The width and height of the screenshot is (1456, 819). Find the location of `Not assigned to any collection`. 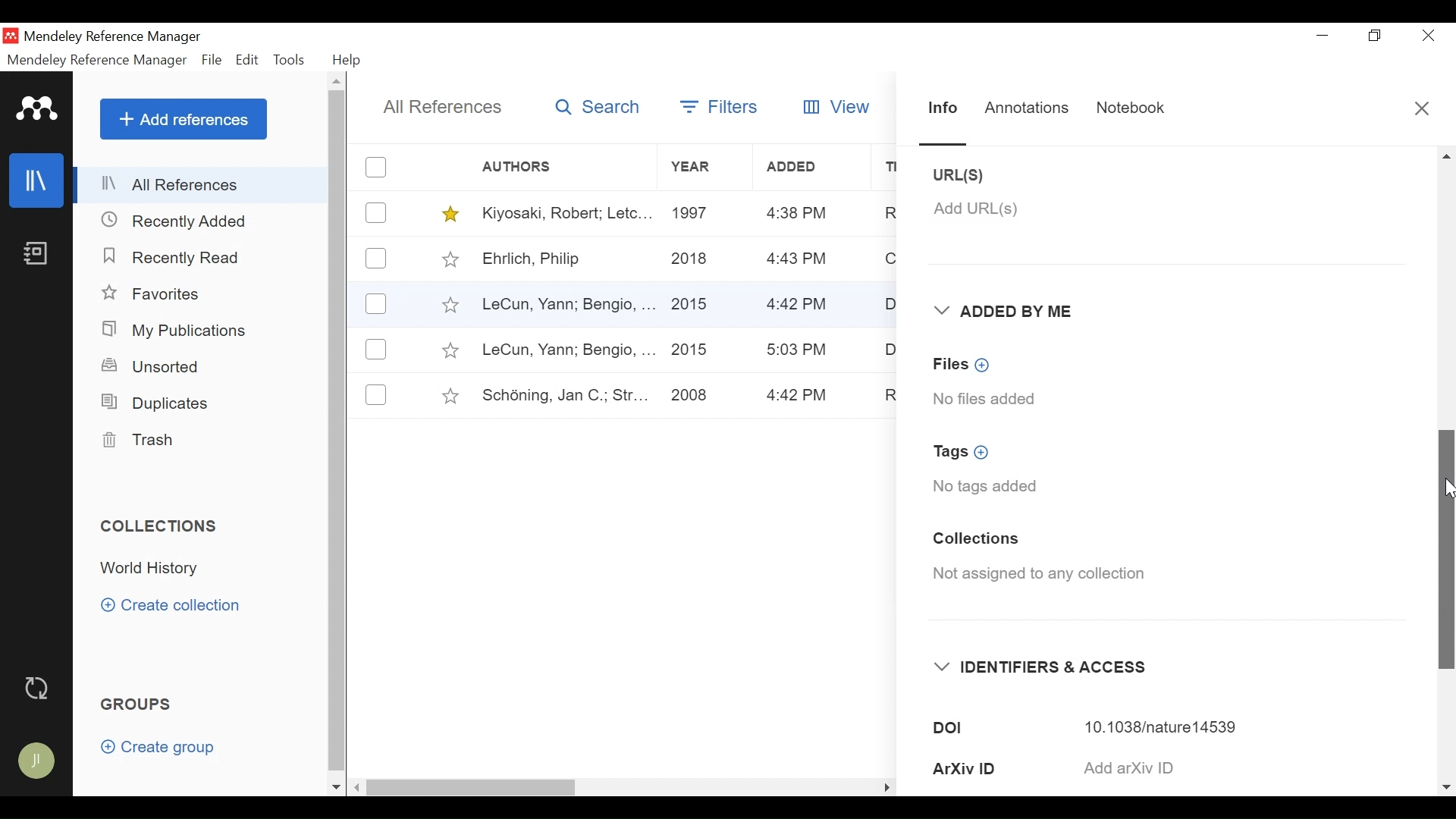

Not assigned to any collection is located at coordinates (1045, 577).